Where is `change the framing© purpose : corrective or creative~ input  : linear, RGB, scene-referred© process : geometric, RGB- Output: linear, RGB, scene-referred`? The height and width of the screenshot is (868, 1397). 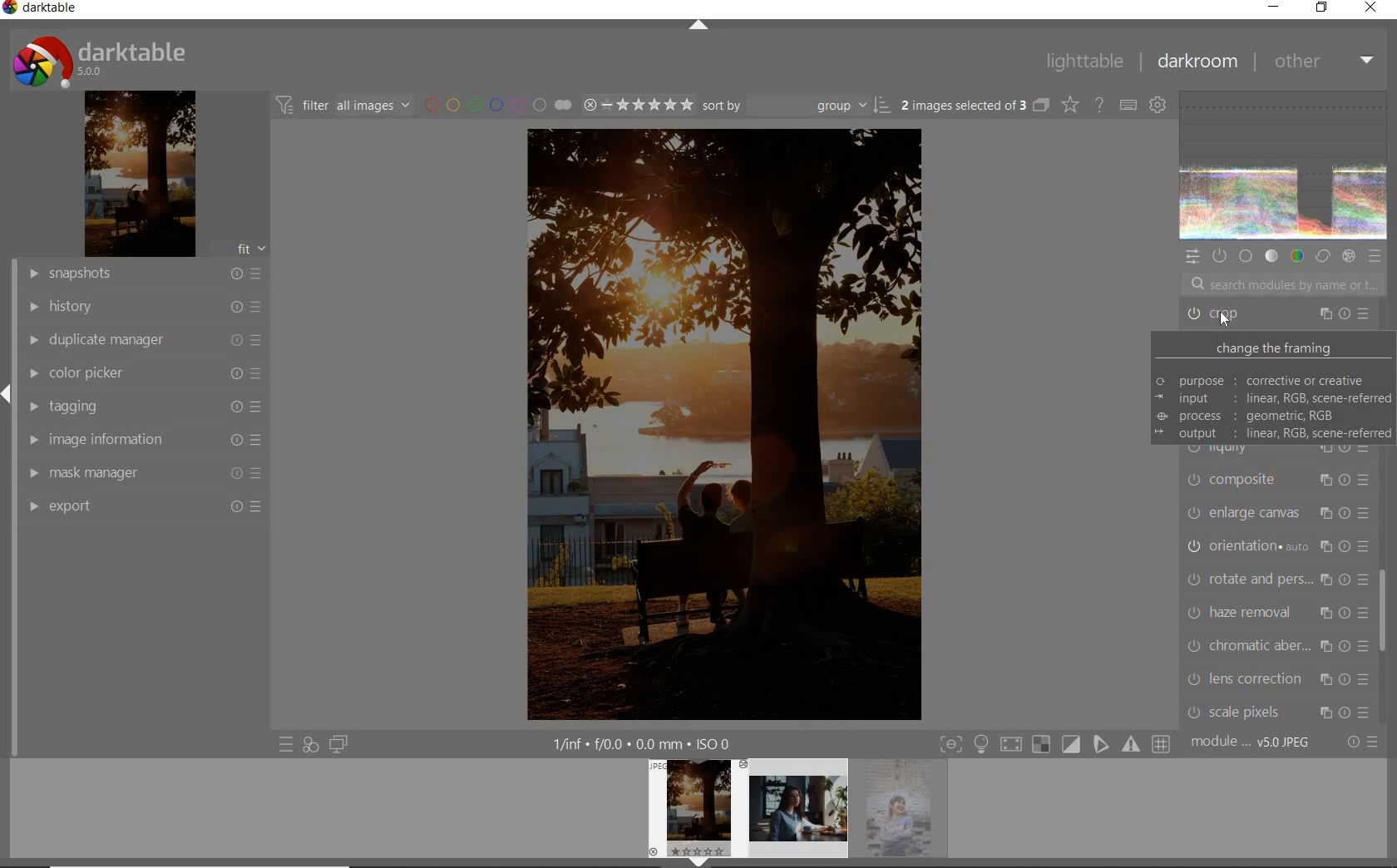 change the framing© purpose : corrective or creative~ input  : linear, RGB, scene-referred© process : geometric, RGB- Output: linear, RGB, scene-referred is located at coordinates (1272, 389).